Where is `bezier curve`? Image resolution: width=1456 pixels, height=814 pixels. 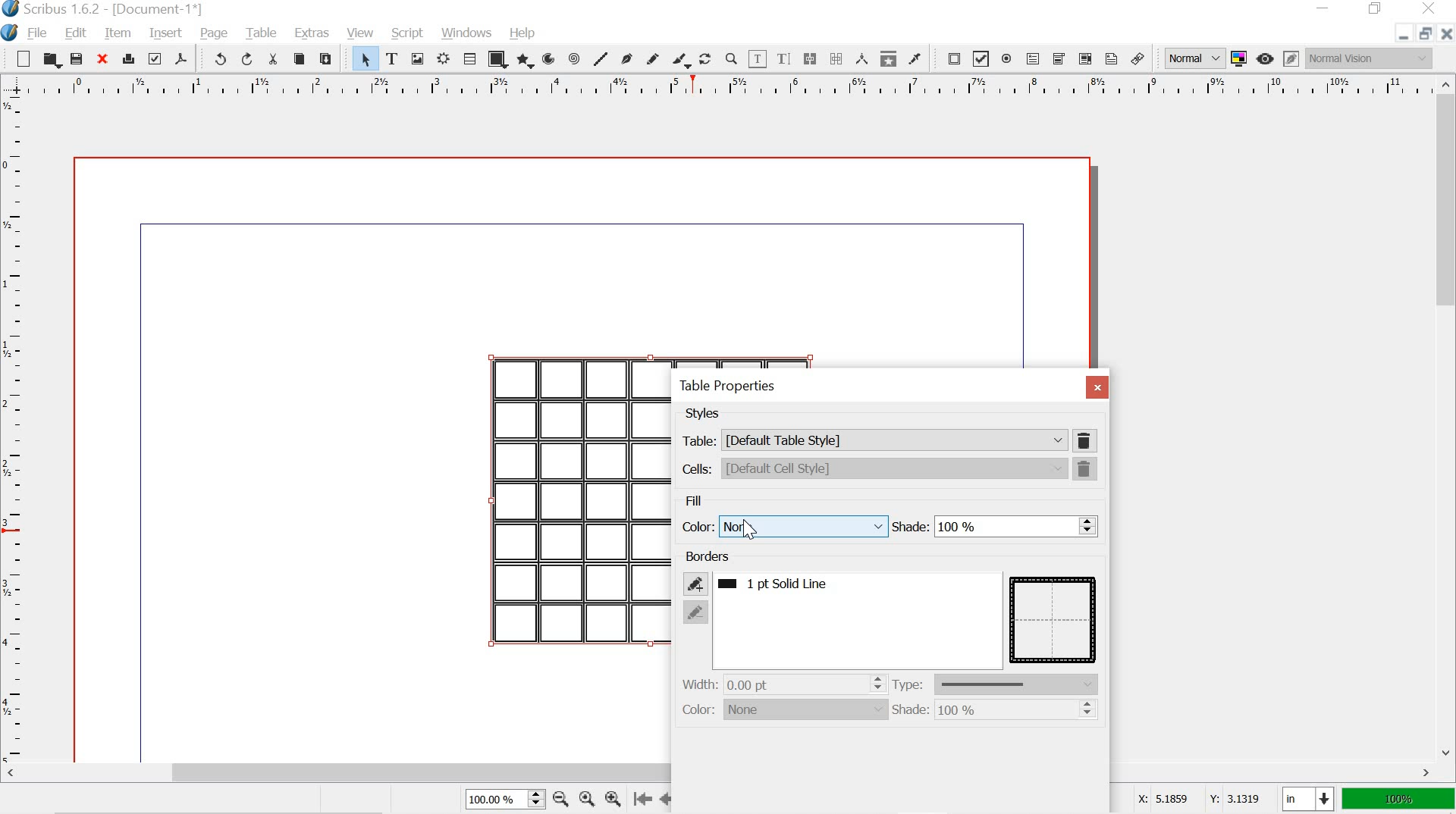
bezier curve is located at coordinates (626, 59).